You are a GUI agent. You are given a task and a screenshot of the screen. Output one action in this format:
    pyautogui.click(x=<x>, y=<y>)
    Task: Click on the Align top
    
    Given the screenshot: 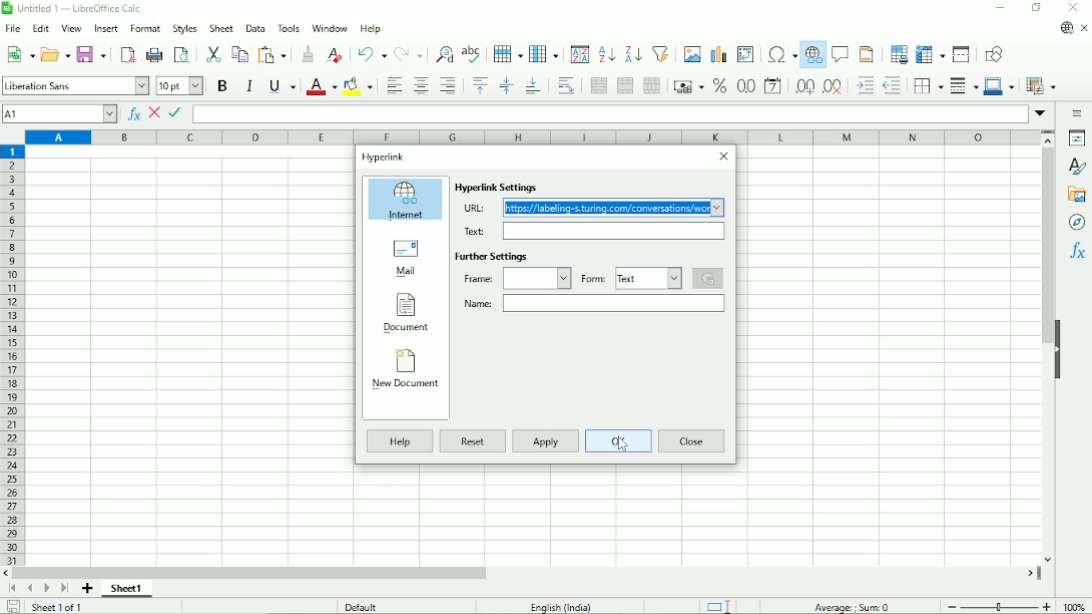 What is the action you would take?
    pyautogui.click(x=479, y=85)
    